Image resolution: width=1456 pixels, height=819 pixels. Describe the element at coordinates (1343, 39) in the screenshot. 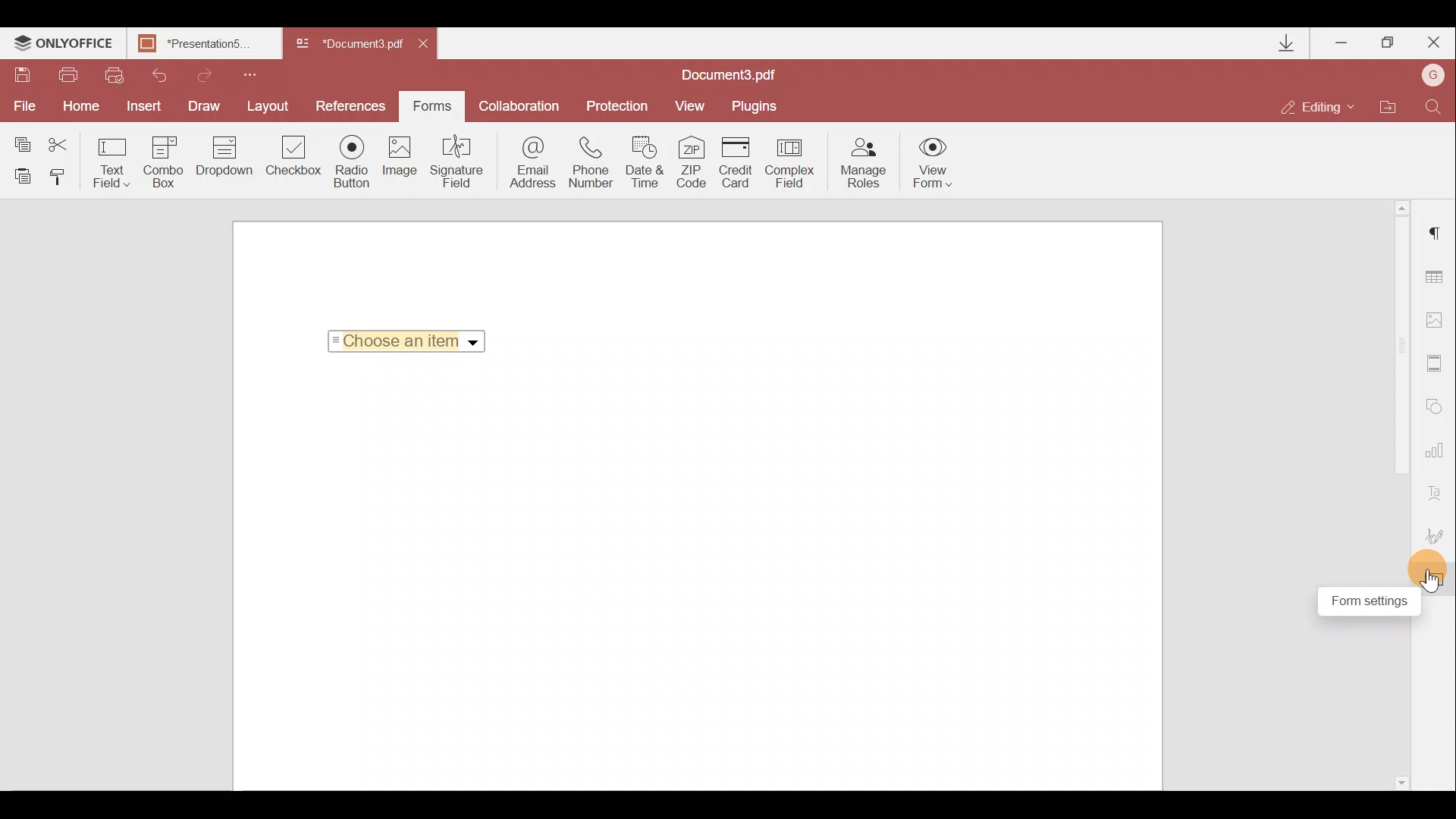

I see `Minimize` at that location.